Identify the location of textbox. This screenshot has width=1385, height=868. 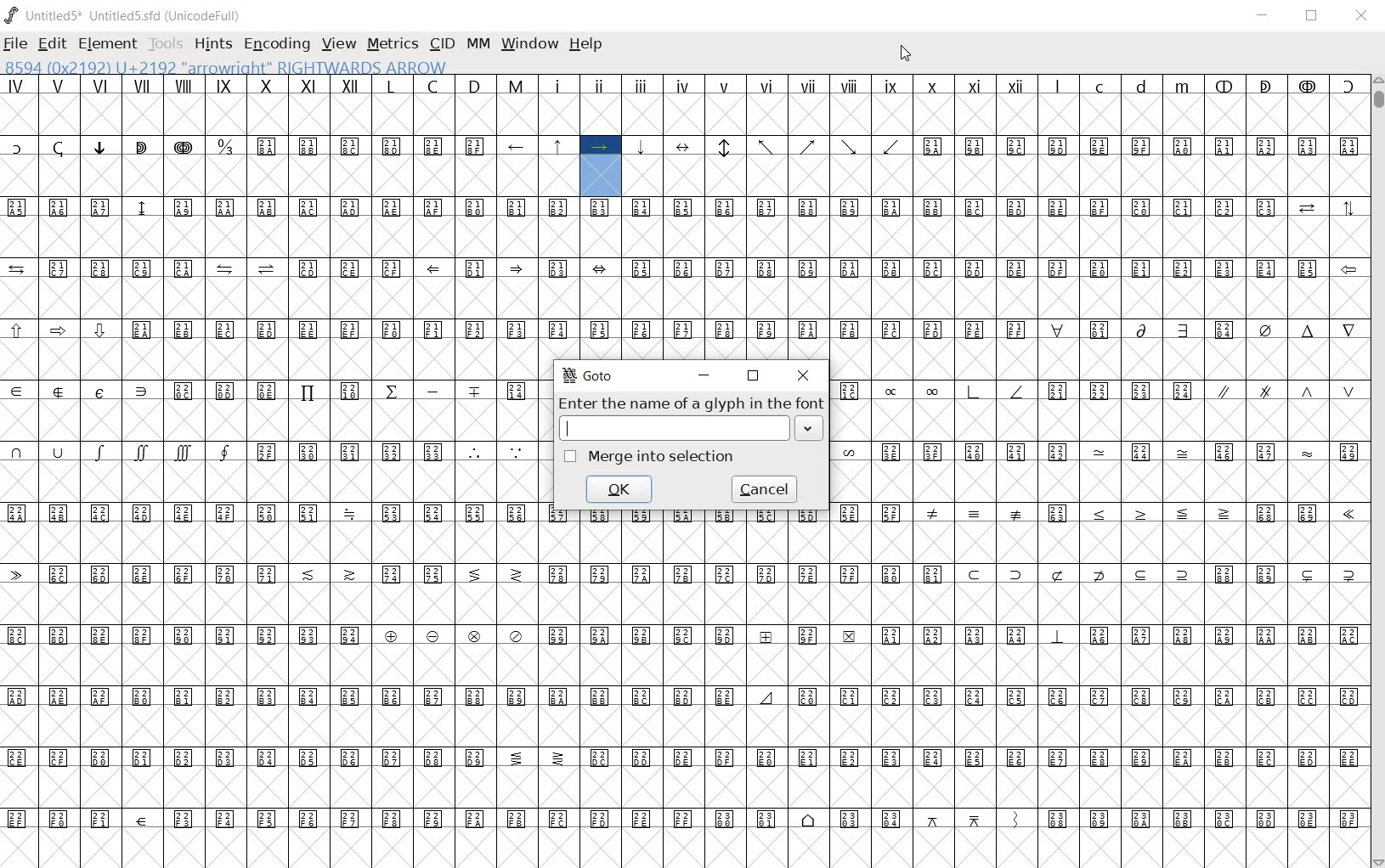
(692, 431).